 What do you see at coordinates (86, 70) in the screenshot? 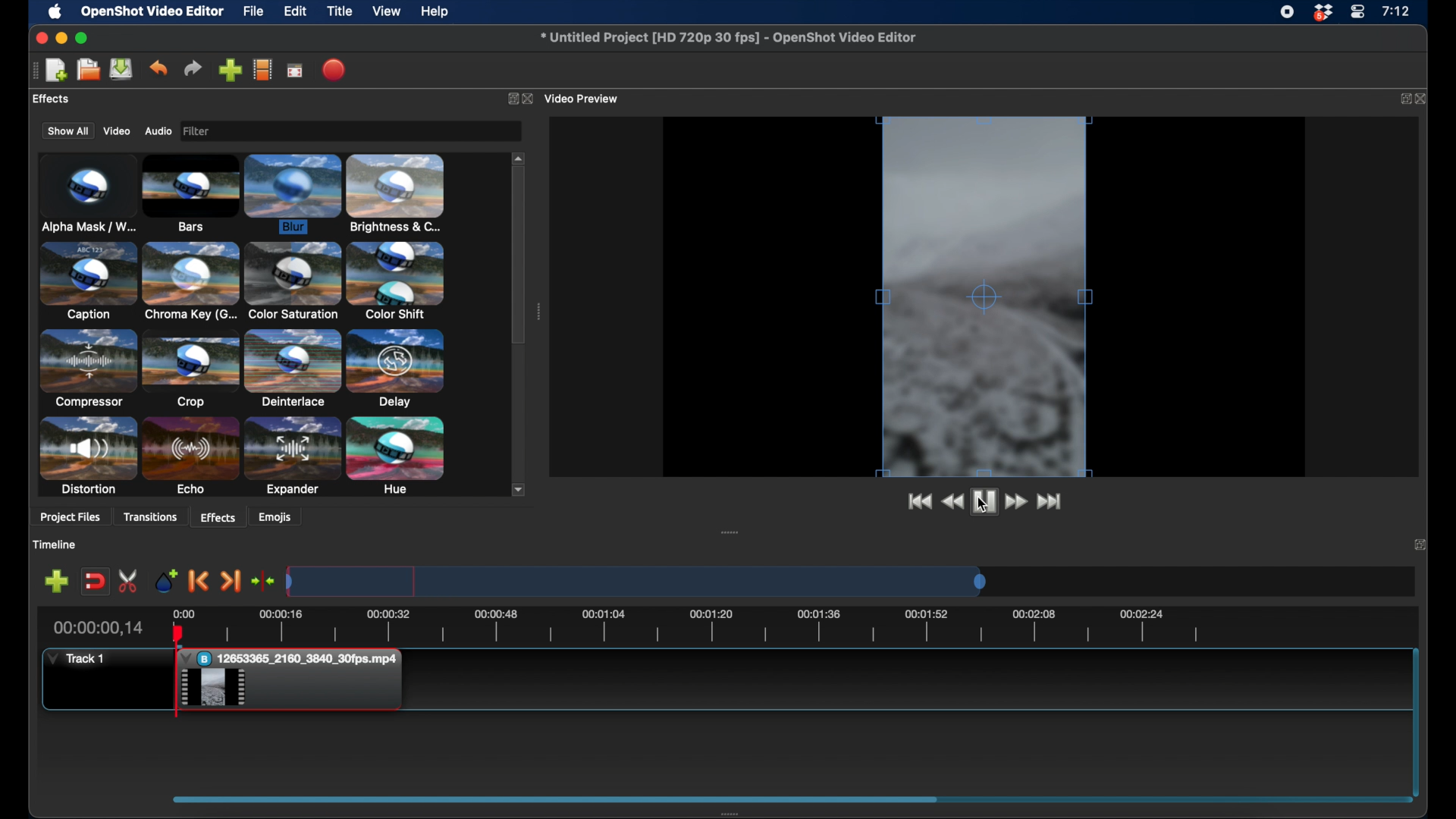
I see `open project` at bounding box center [86, 70].